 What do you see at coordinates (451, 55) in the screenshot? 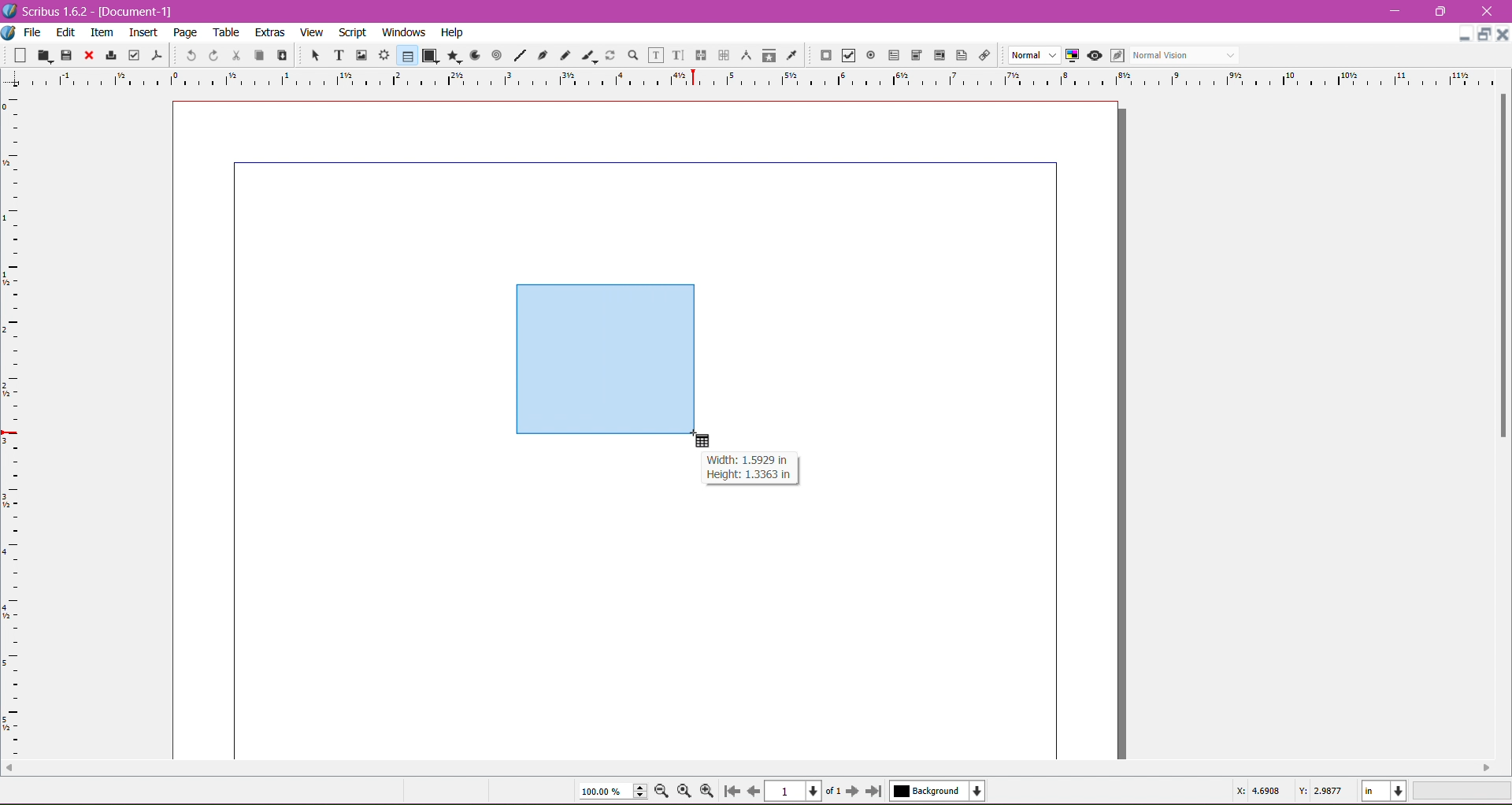
I see `Polygon` at bounding box center [451, 55].